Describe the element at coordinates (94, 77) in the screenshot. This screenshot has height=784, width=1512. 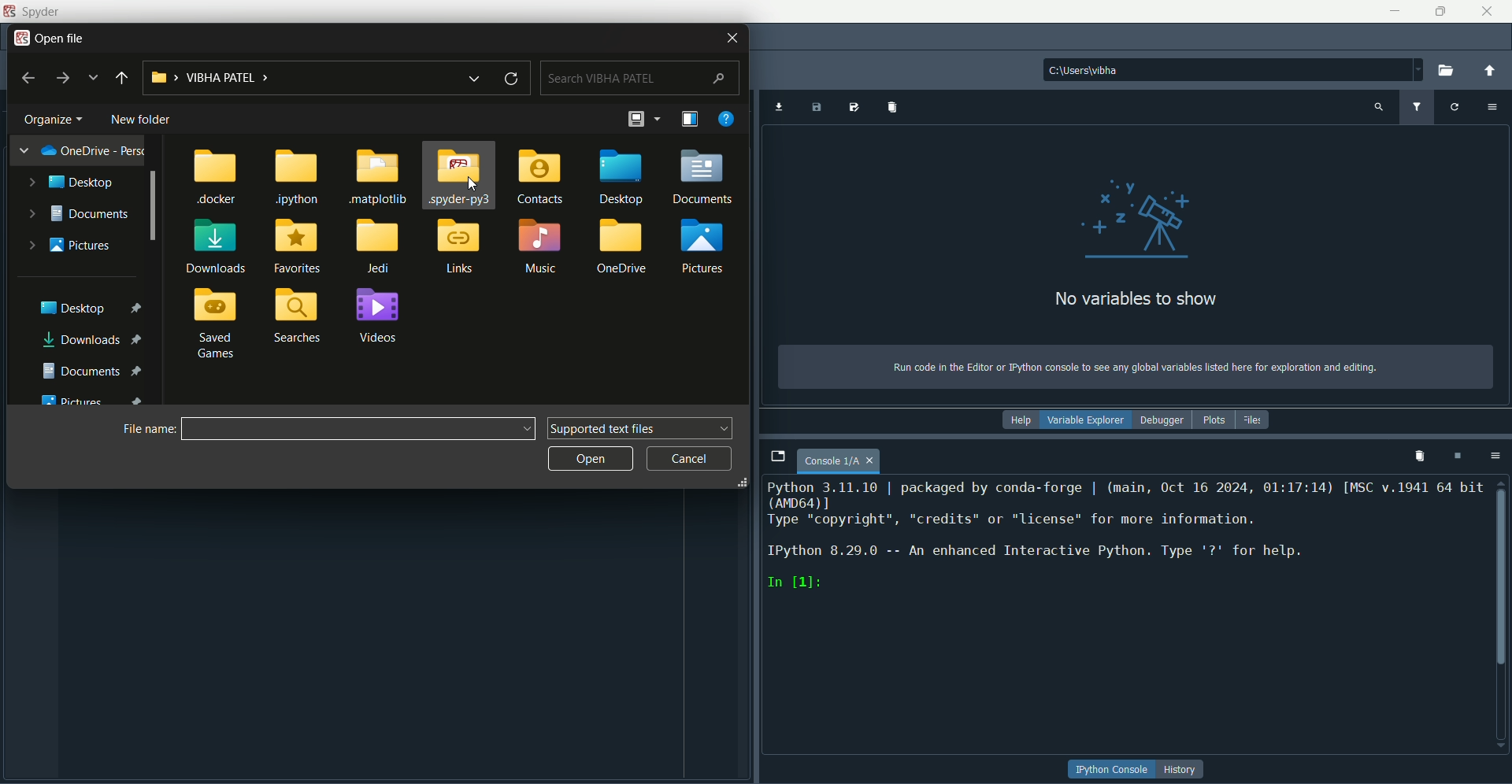
I see `explore` at that location.